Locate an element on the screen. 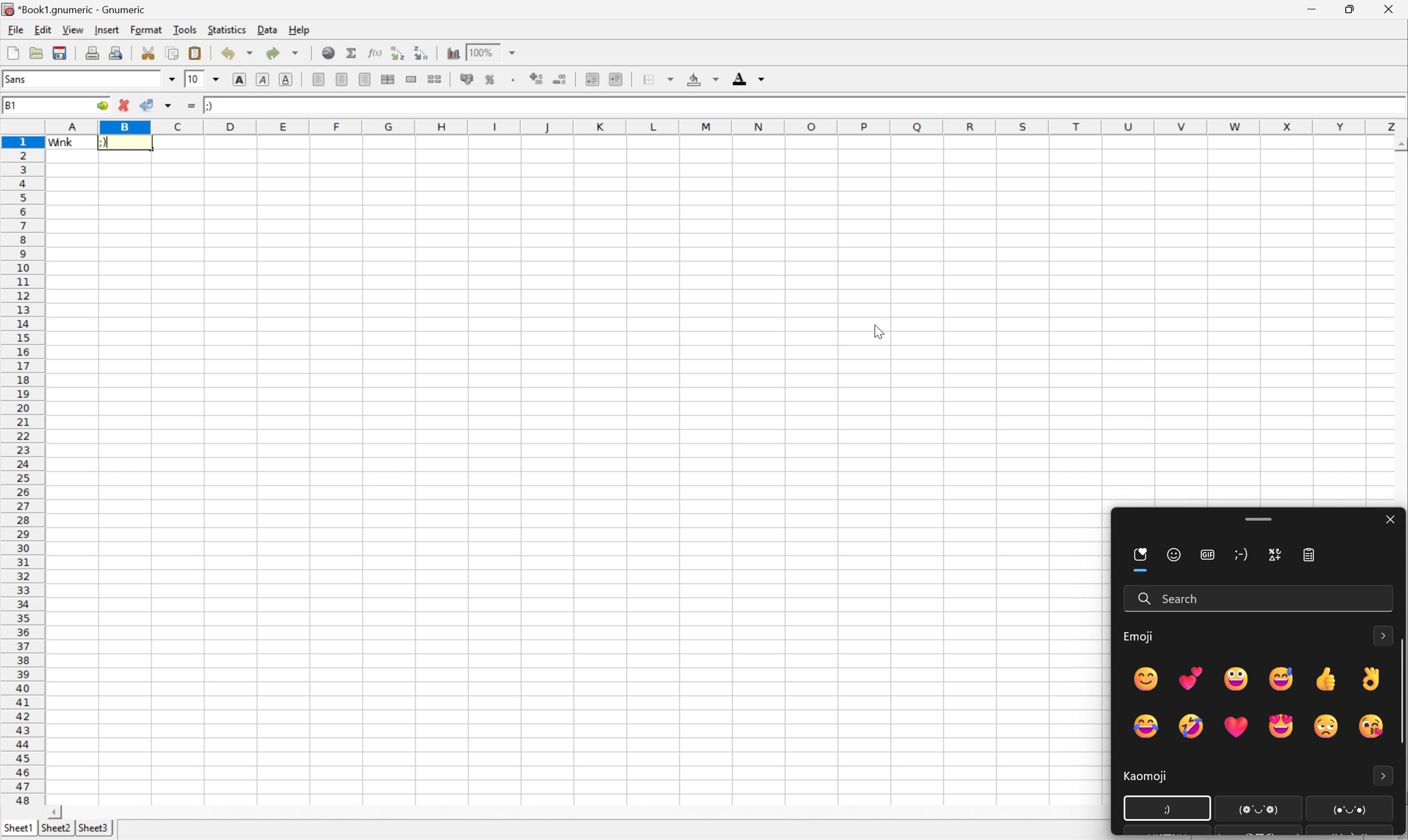 The image size is (1408, 840). new is located at coordinates (11, 53).